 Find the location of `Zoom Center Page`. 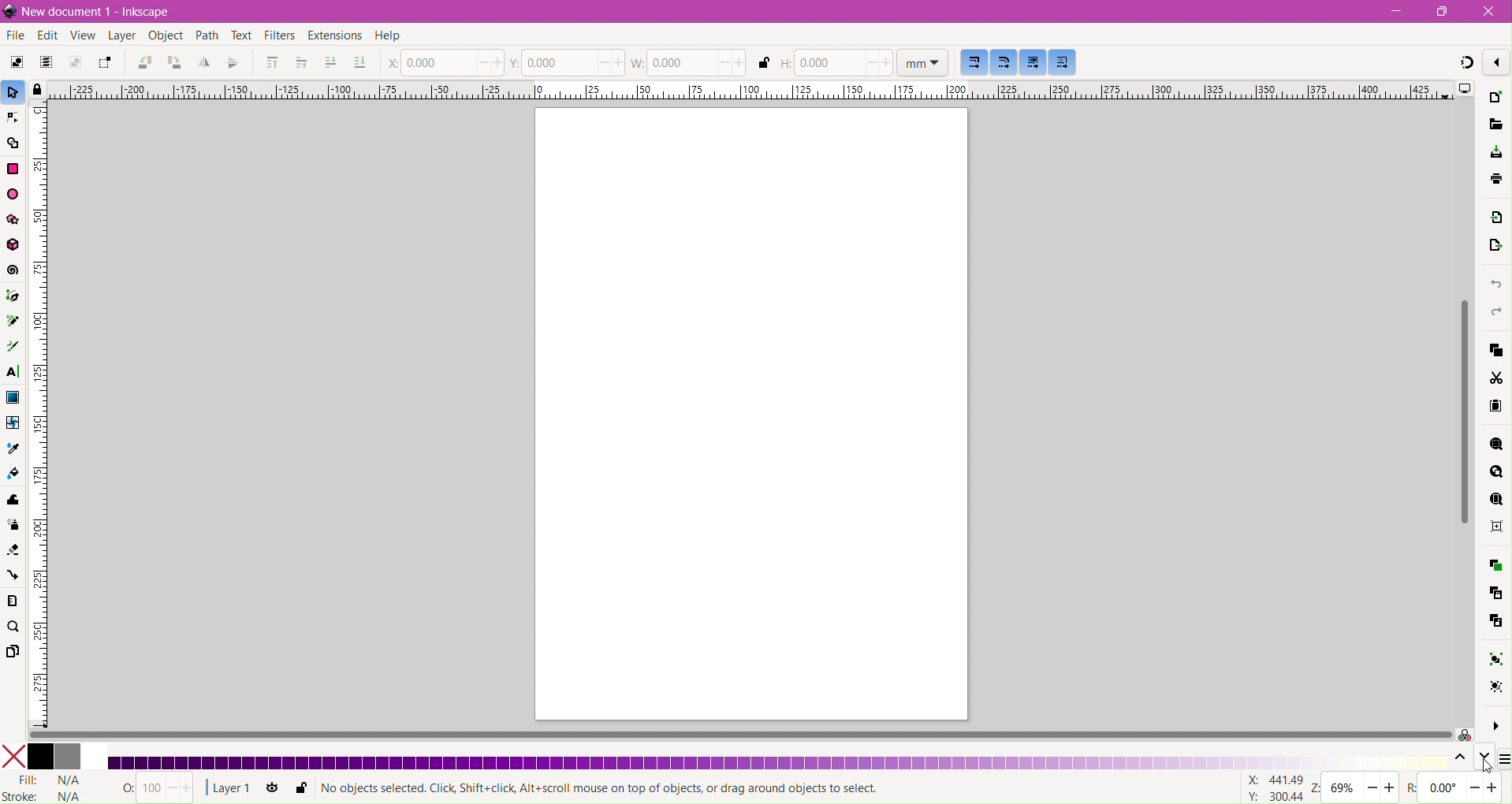

Zoom Center Page is located at coordinates (1495, 529).